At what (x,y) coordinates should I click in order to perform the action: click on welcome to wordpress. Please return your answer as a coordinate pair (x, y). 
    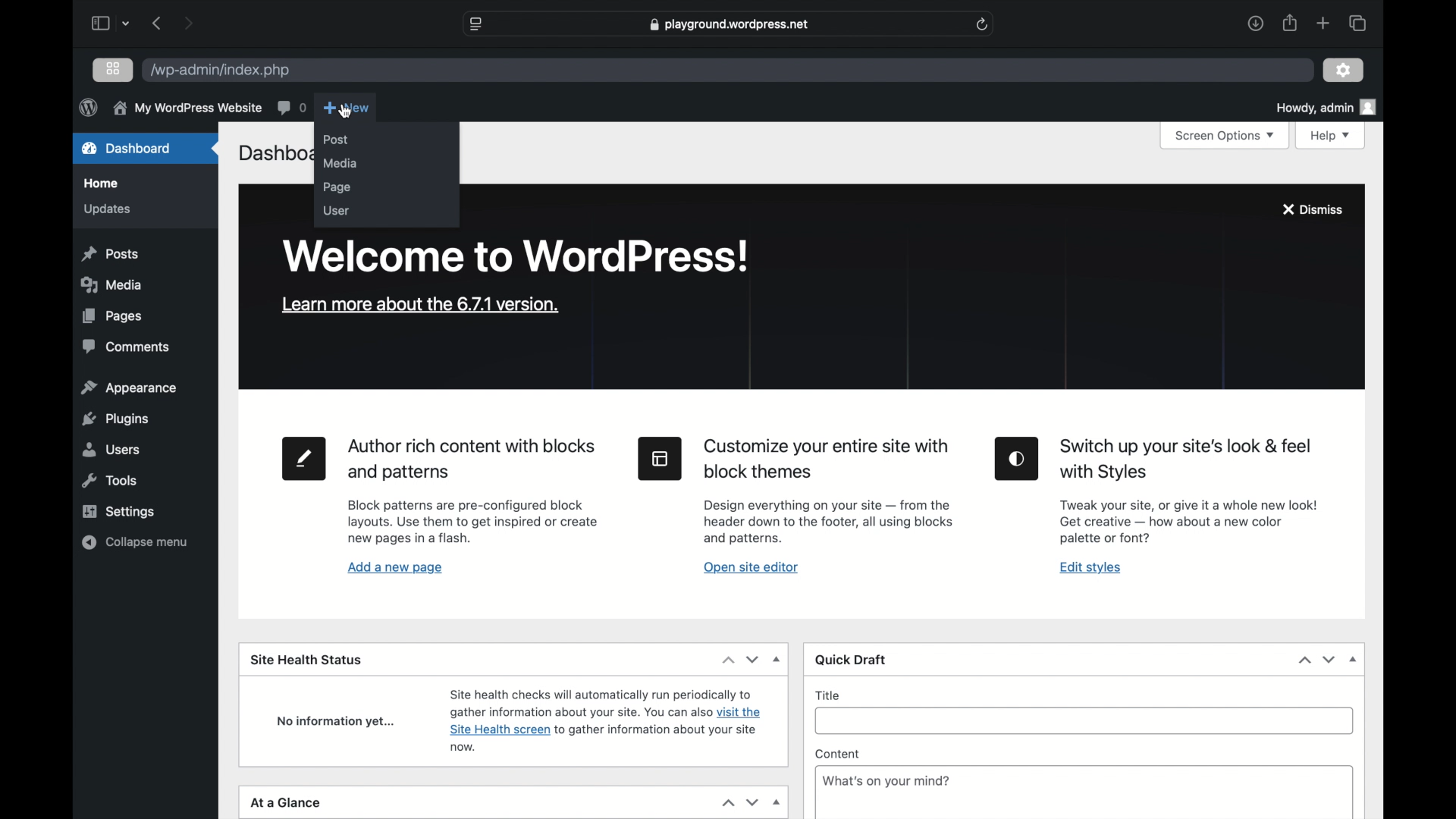
    Looking at the image, I should click on (515, 256).